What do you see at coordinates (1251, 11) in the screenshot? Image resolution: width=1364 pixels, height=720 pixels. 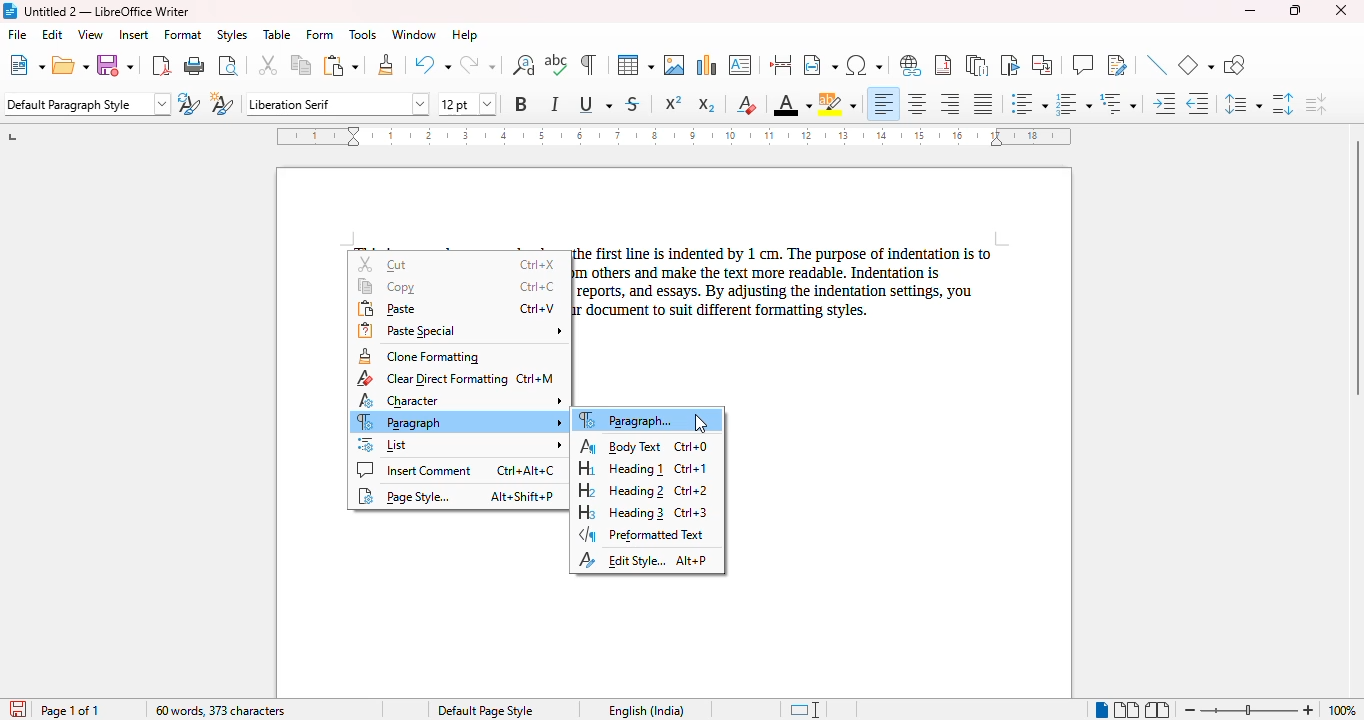 I see `minimize` at bounding box center [1251, 11].